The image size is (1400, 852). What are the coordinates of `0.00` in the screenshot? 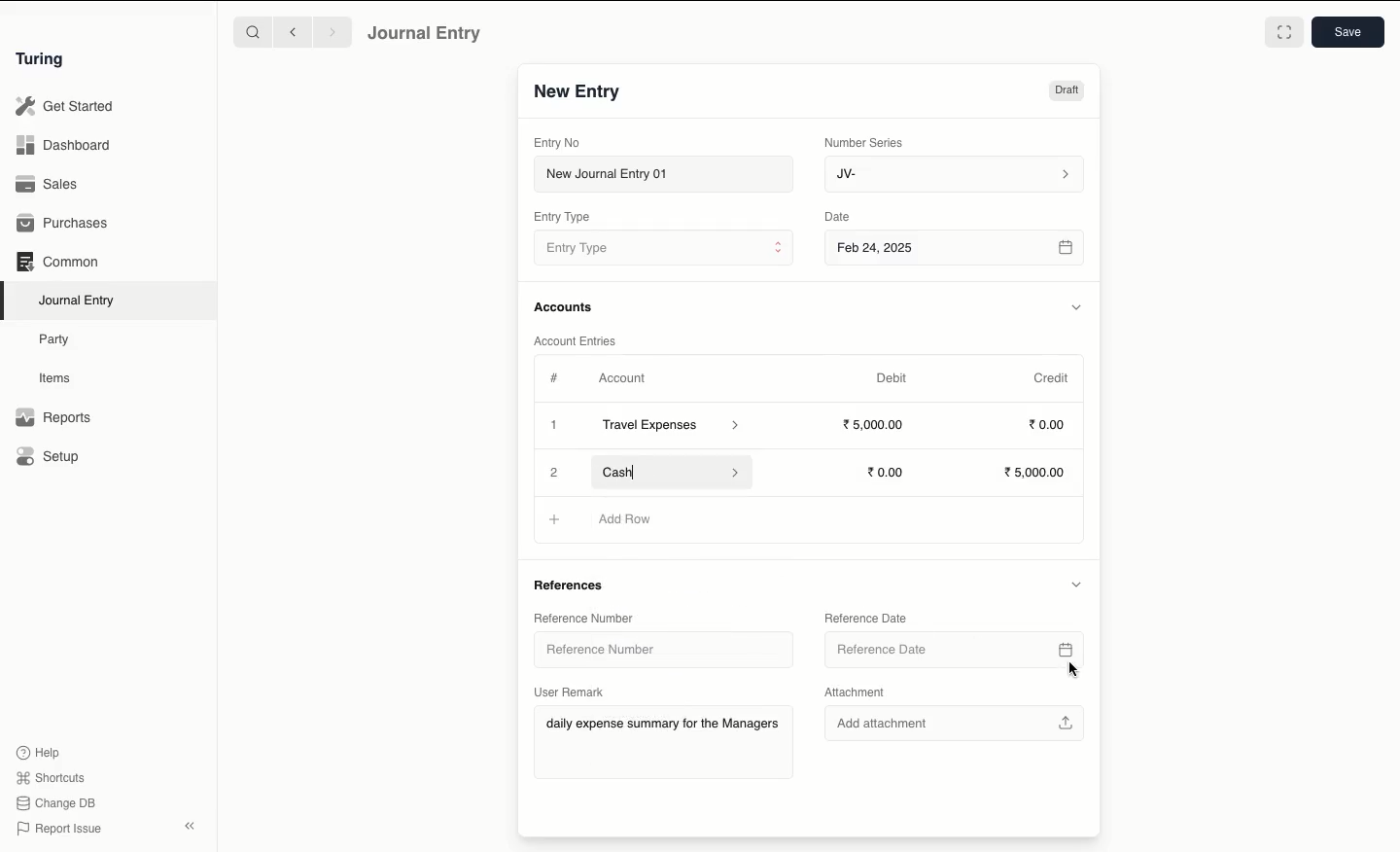 It's located at (1048, 423).